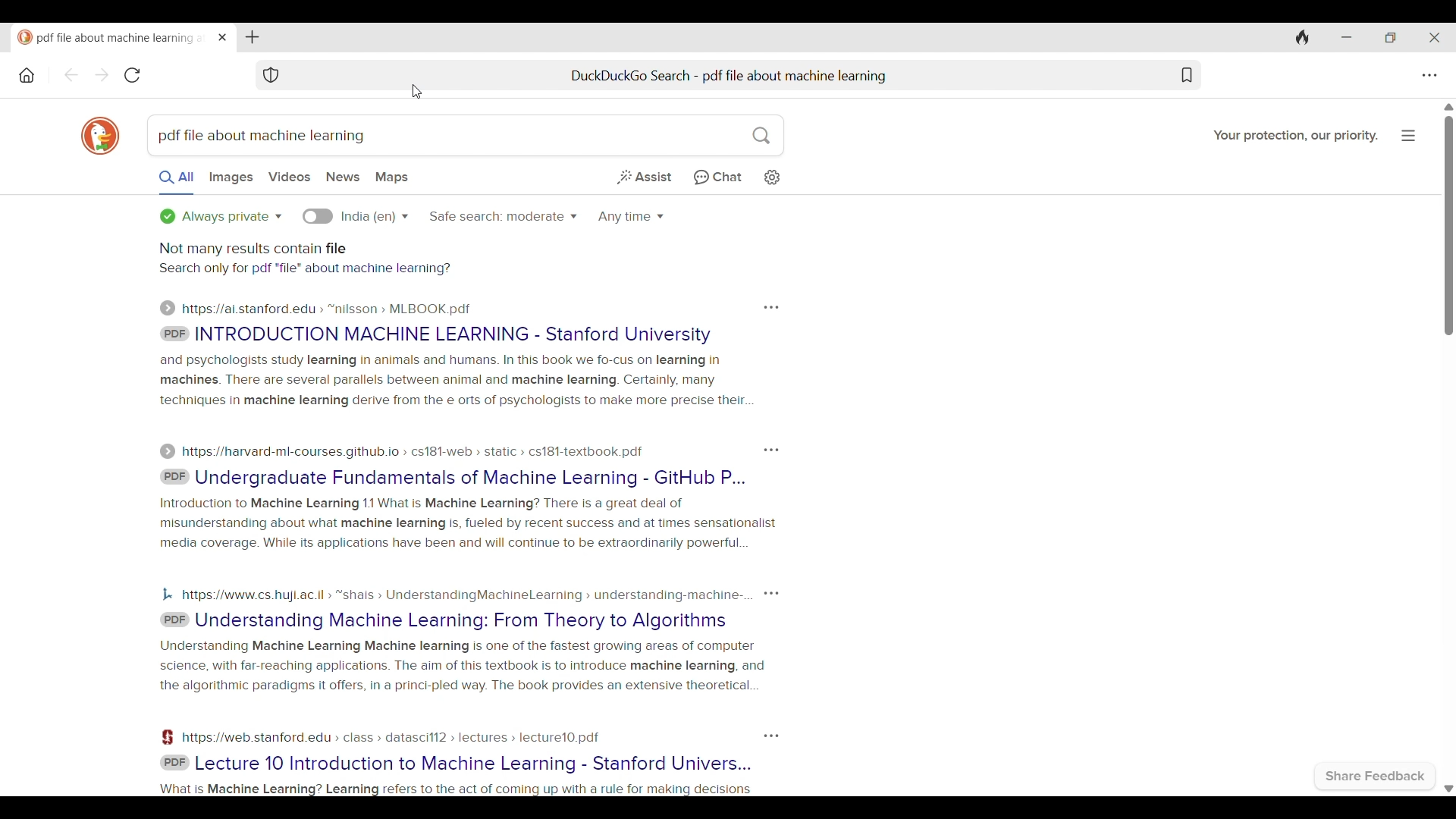 The width and height of the screenshot is (1456, 819). Describe the element at coordinates (1408, 136) in the screenshot. I see `More about browser` at that location.